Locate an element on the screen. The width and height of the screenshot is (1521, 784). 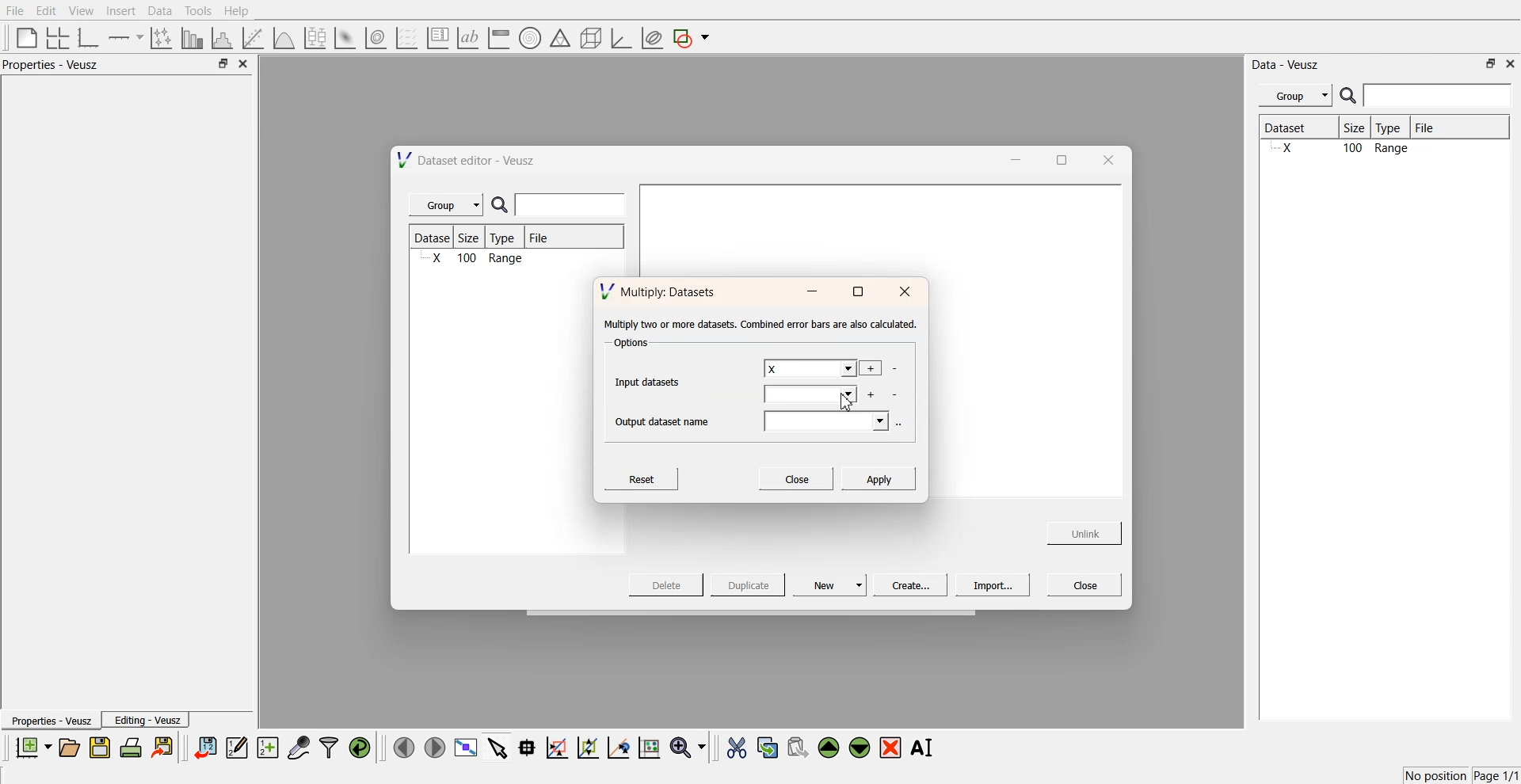
print is located at coordinates (135, 747).